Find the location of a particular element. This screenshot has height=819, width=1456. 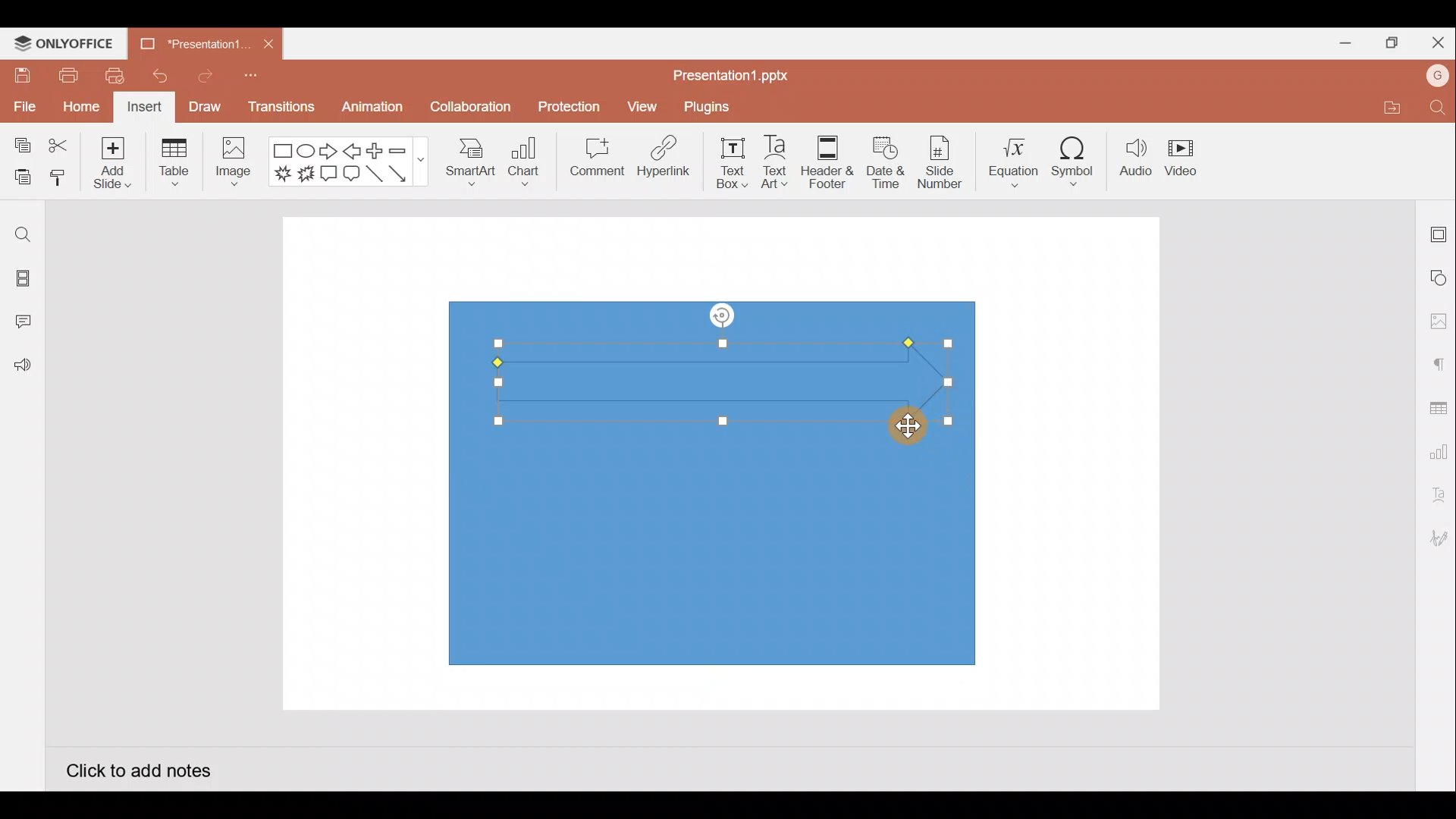

Paragraph settings is located at coordinates (1438, 362).